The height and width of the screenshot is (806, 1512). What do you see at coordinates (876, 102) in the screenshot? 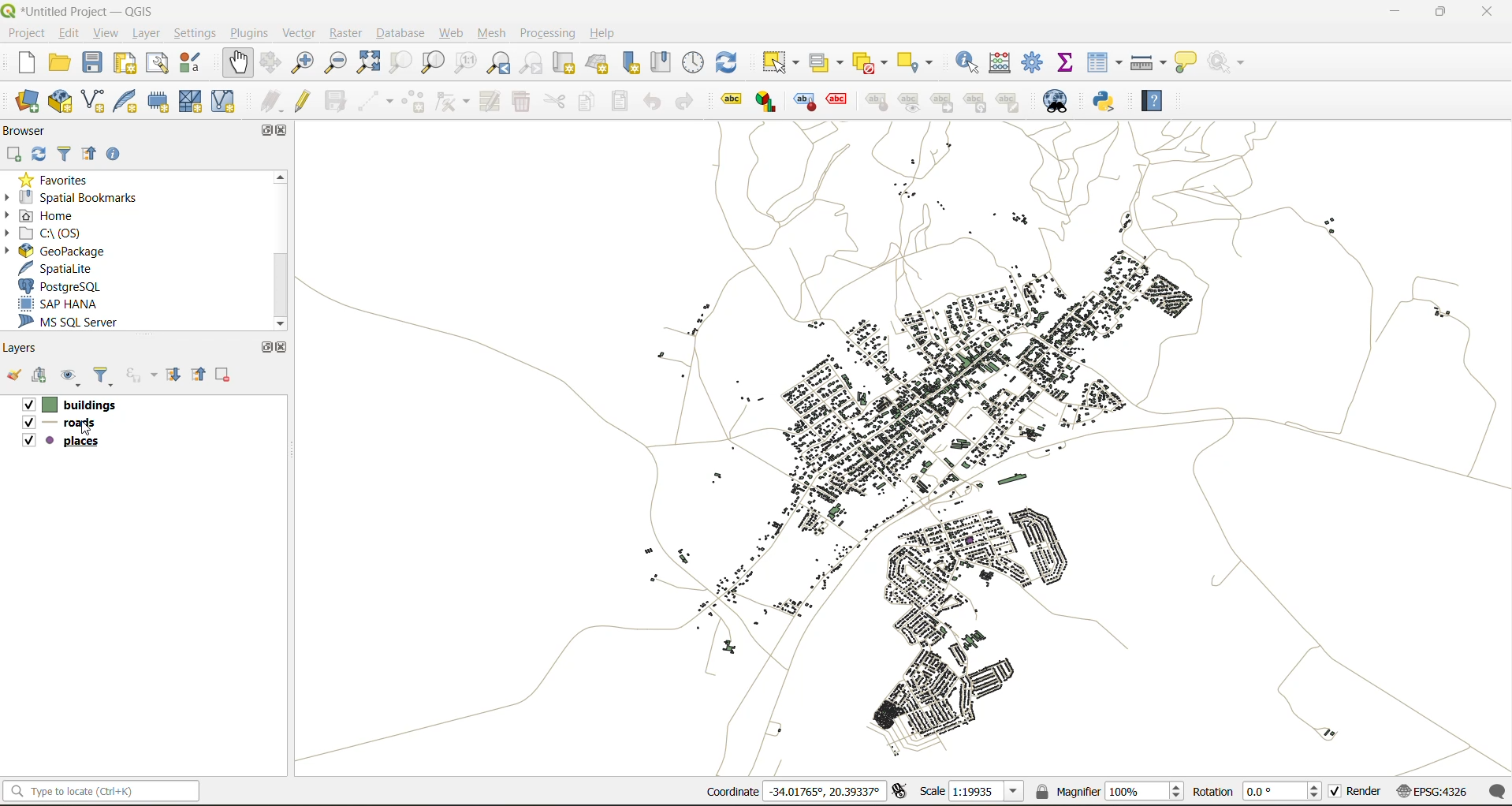
I see `pin\unpin labels and diagrams` at bounding box center [876, 102].